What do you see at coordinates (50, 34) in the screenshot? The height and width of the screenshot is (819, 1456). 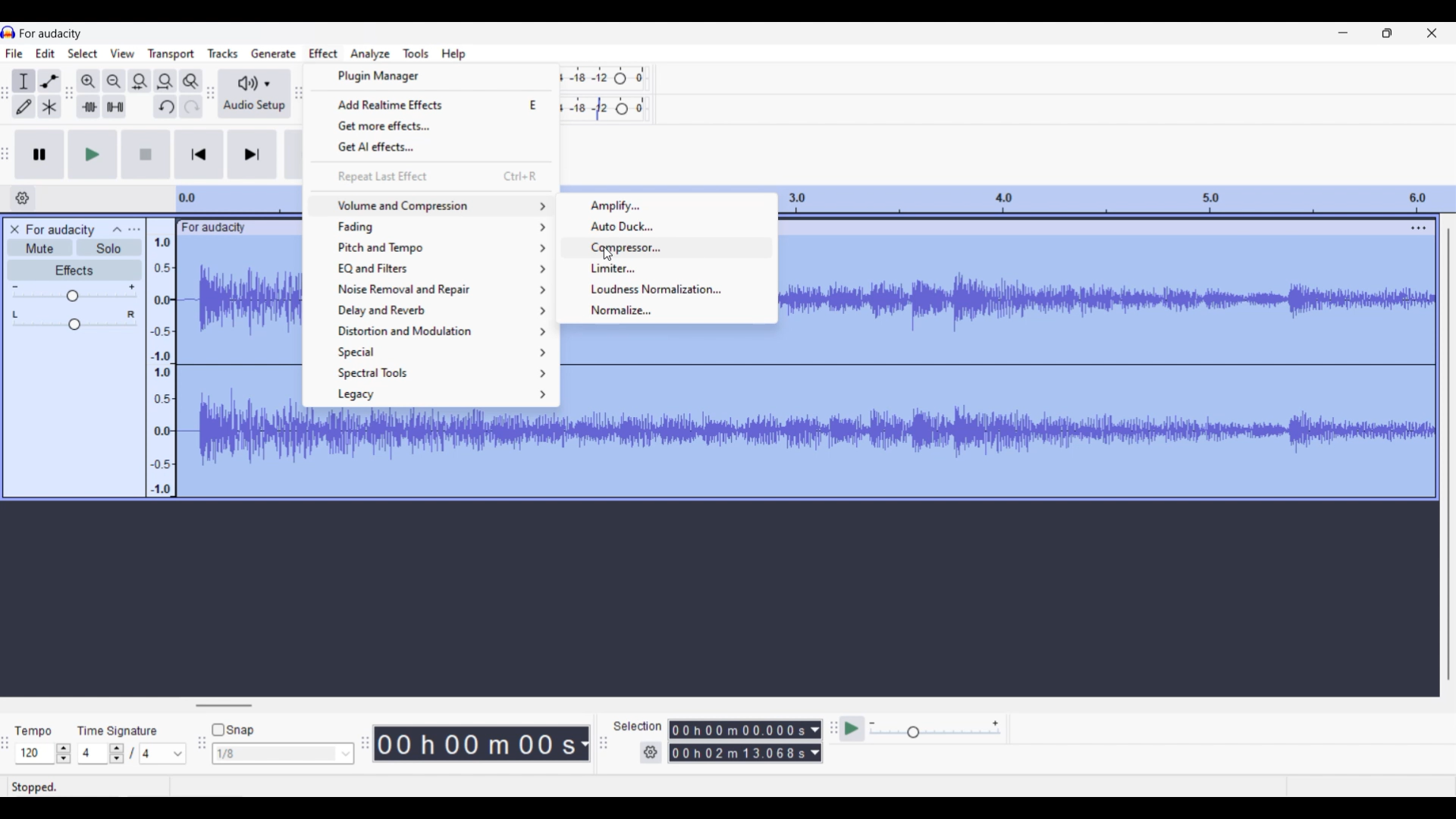 I see `For audacity` at bounding box center [50, 34].